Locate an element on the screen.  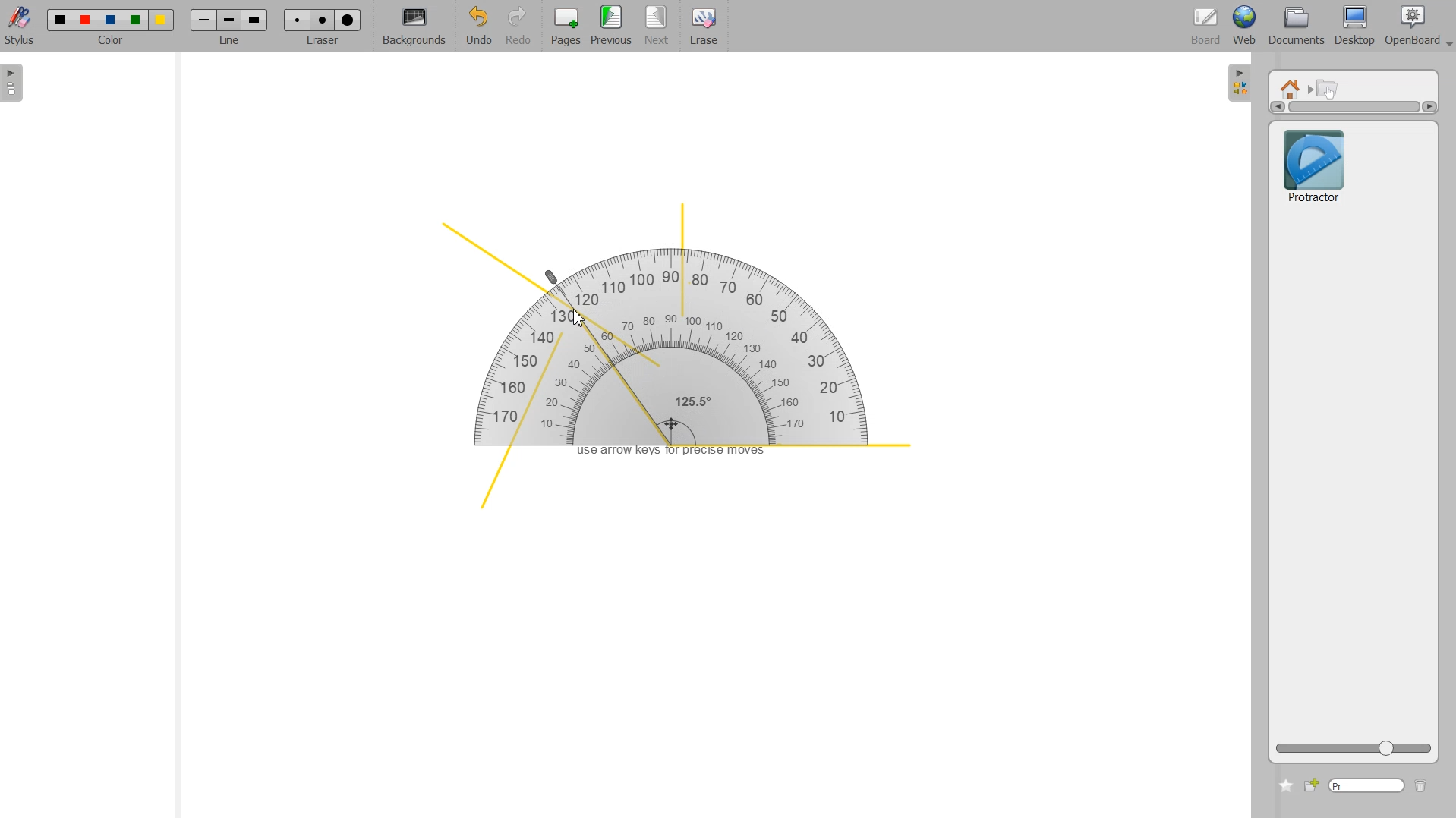
Add new file is located at coordinates (1310, 785).